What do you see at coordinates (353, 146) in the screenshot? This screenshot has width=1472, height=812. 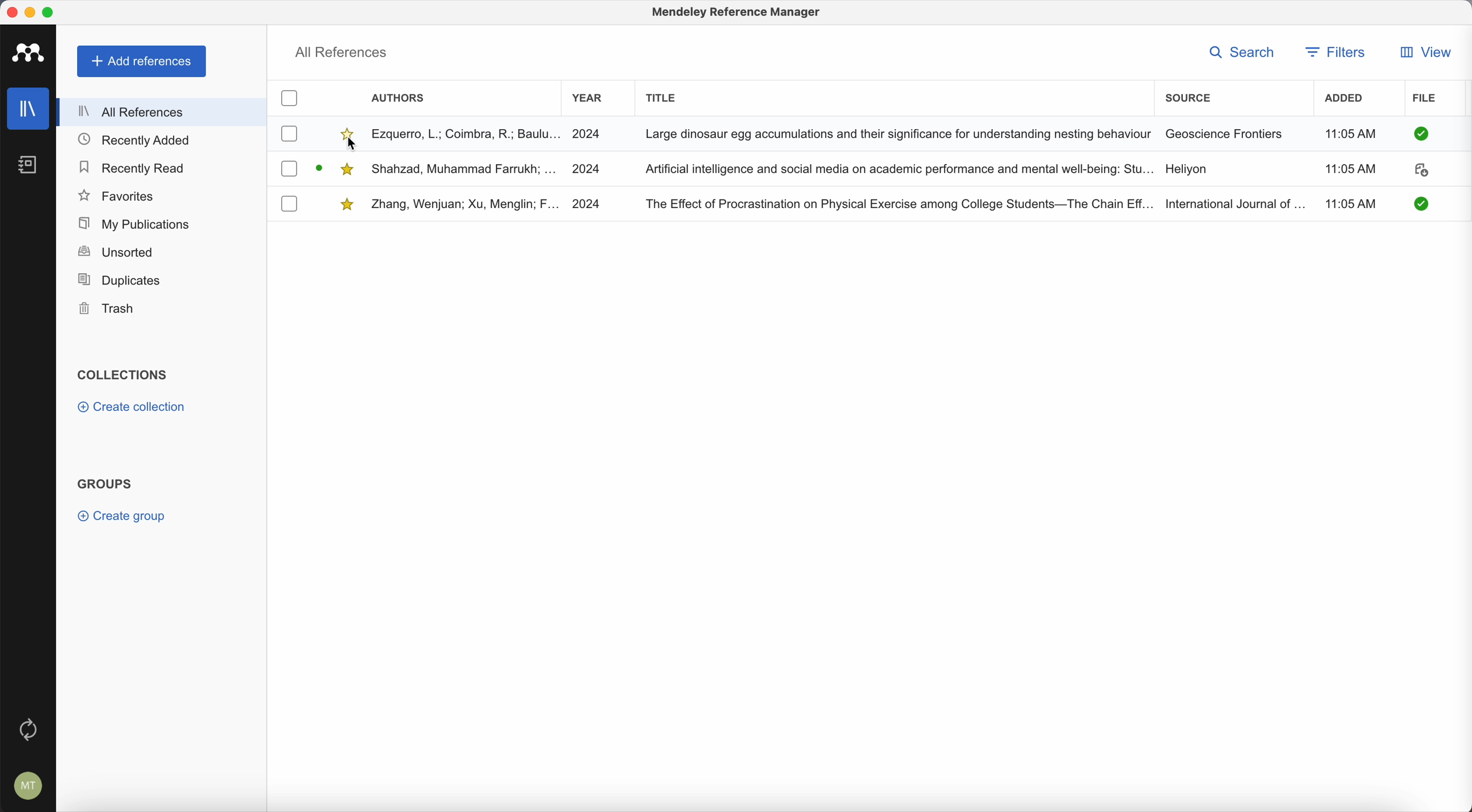 I see `cursor` at bounding box center [353, 146].